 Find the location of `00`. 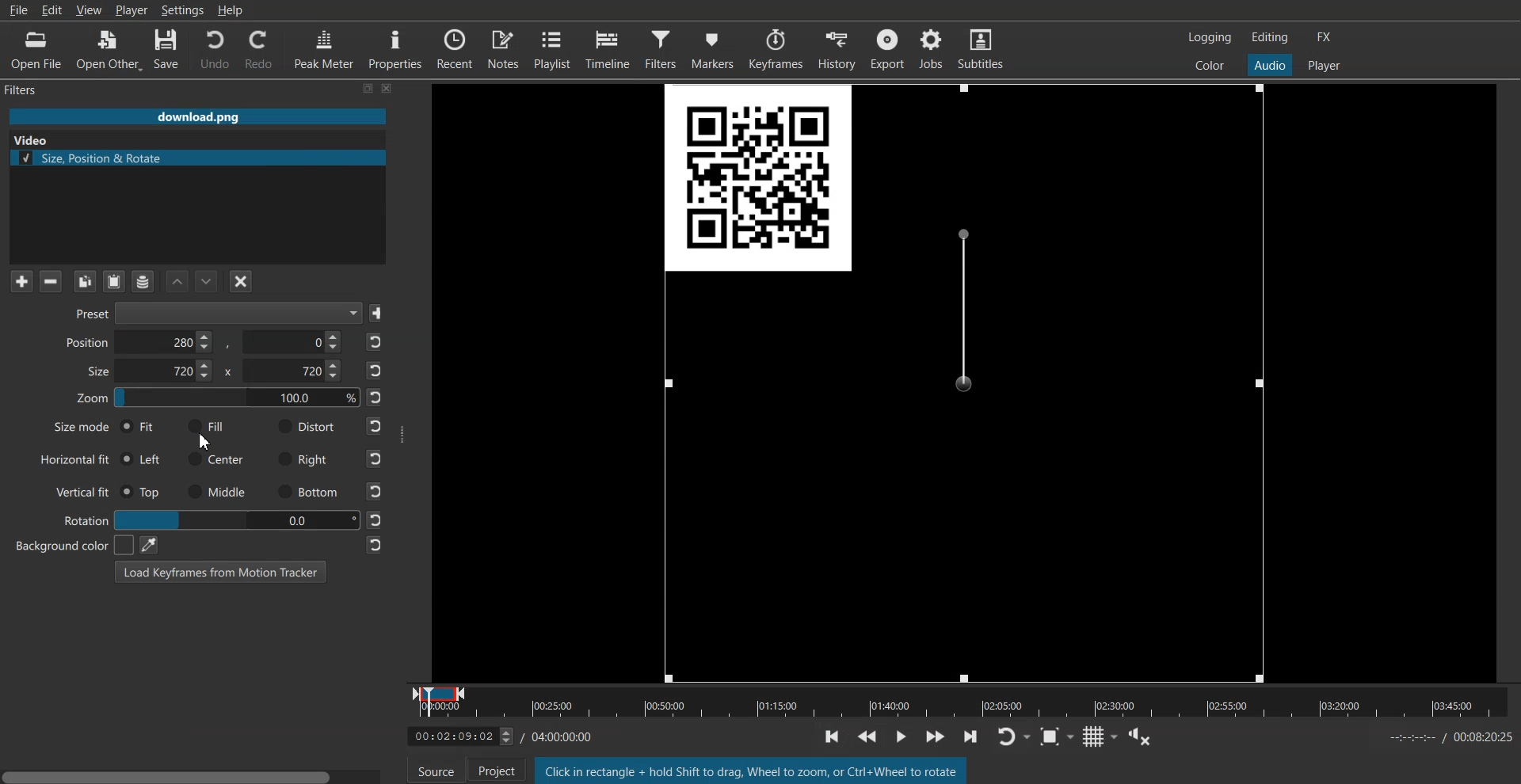

00 is located at coordinates (234, 519).